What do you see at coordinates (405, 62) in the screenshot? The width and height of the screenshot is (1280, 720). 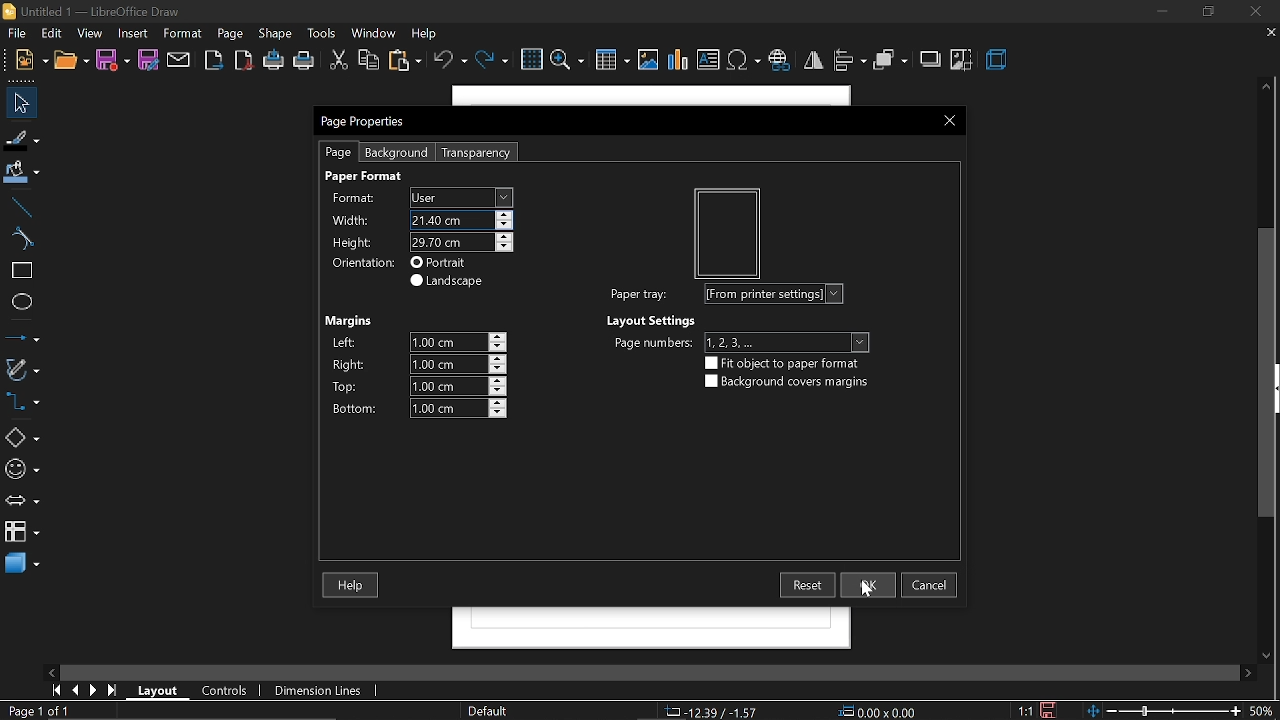 I see `paste` at bounding box center [405, 62].